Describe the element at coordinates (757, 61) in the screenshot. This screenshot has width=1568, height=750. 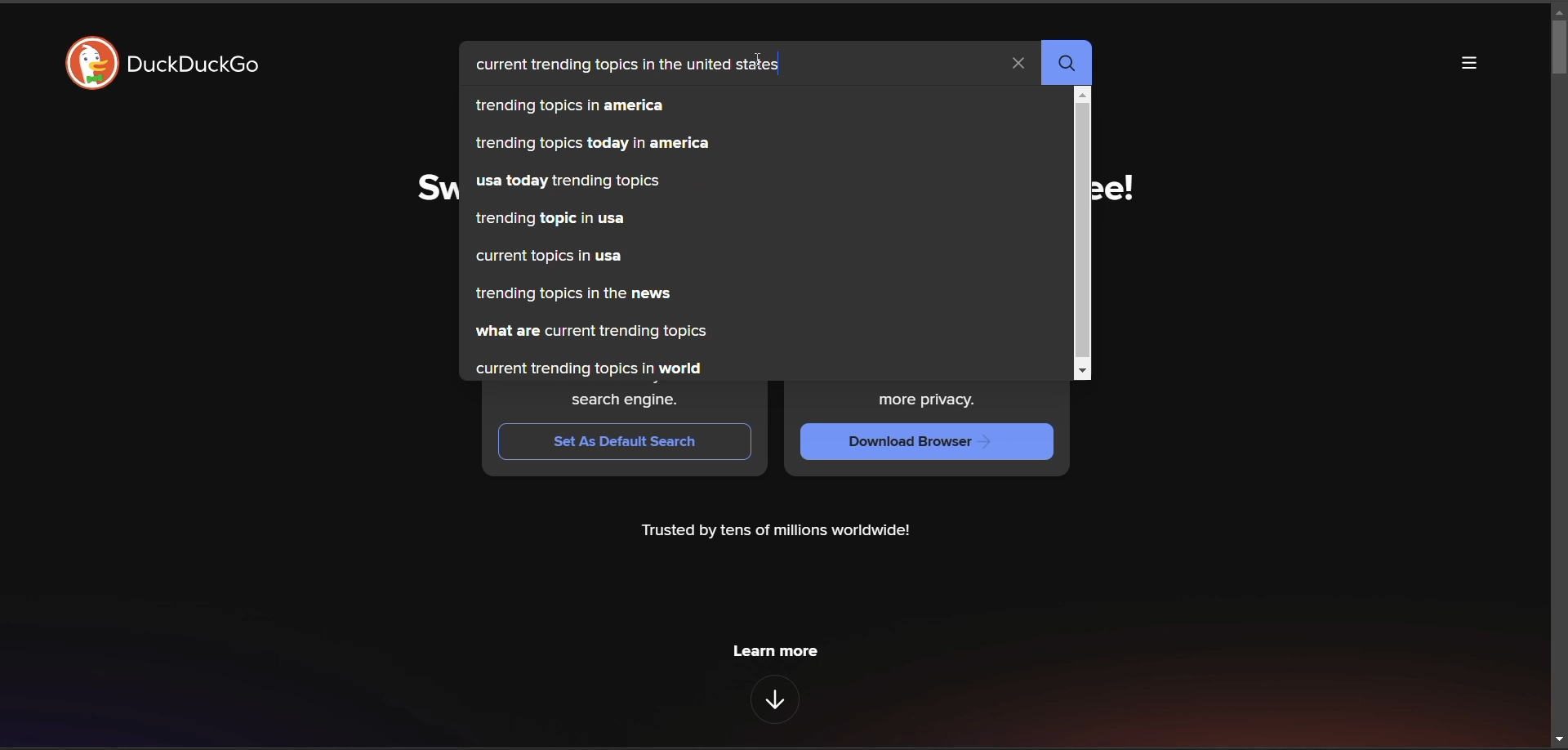
I see `cursor` at that location.